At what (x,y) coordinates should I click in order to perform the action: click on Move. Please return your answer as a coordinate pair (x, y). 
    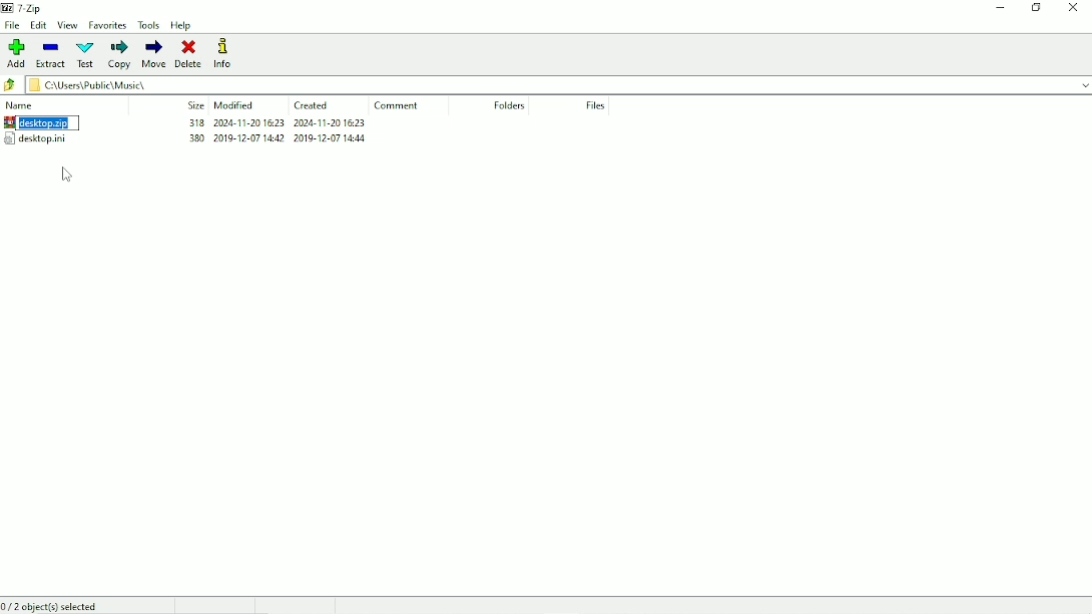
    Looking at the image, I should click on (153, 54).